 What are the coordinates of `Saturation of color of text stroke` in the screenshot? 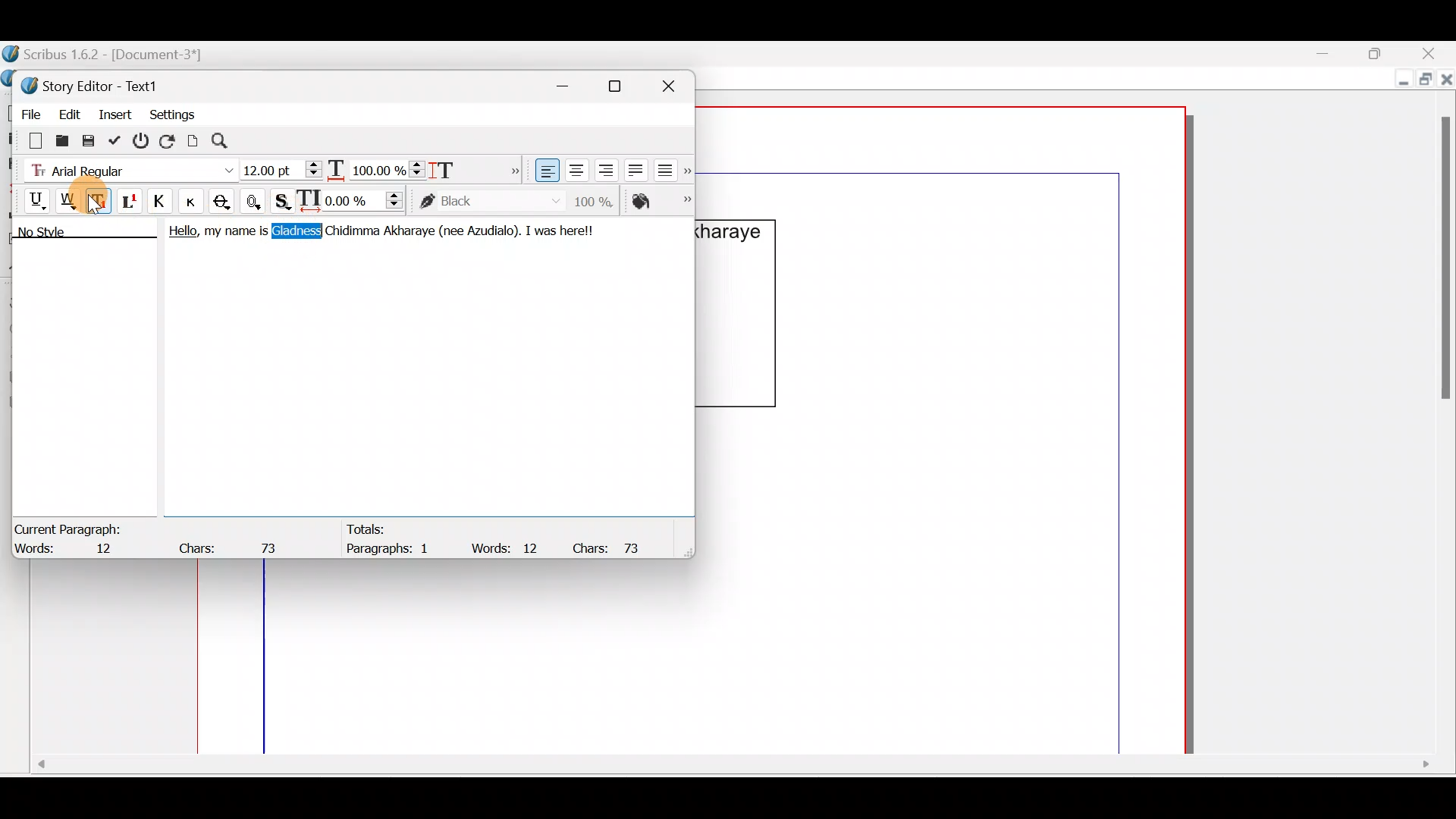 It's located at (599, 199).